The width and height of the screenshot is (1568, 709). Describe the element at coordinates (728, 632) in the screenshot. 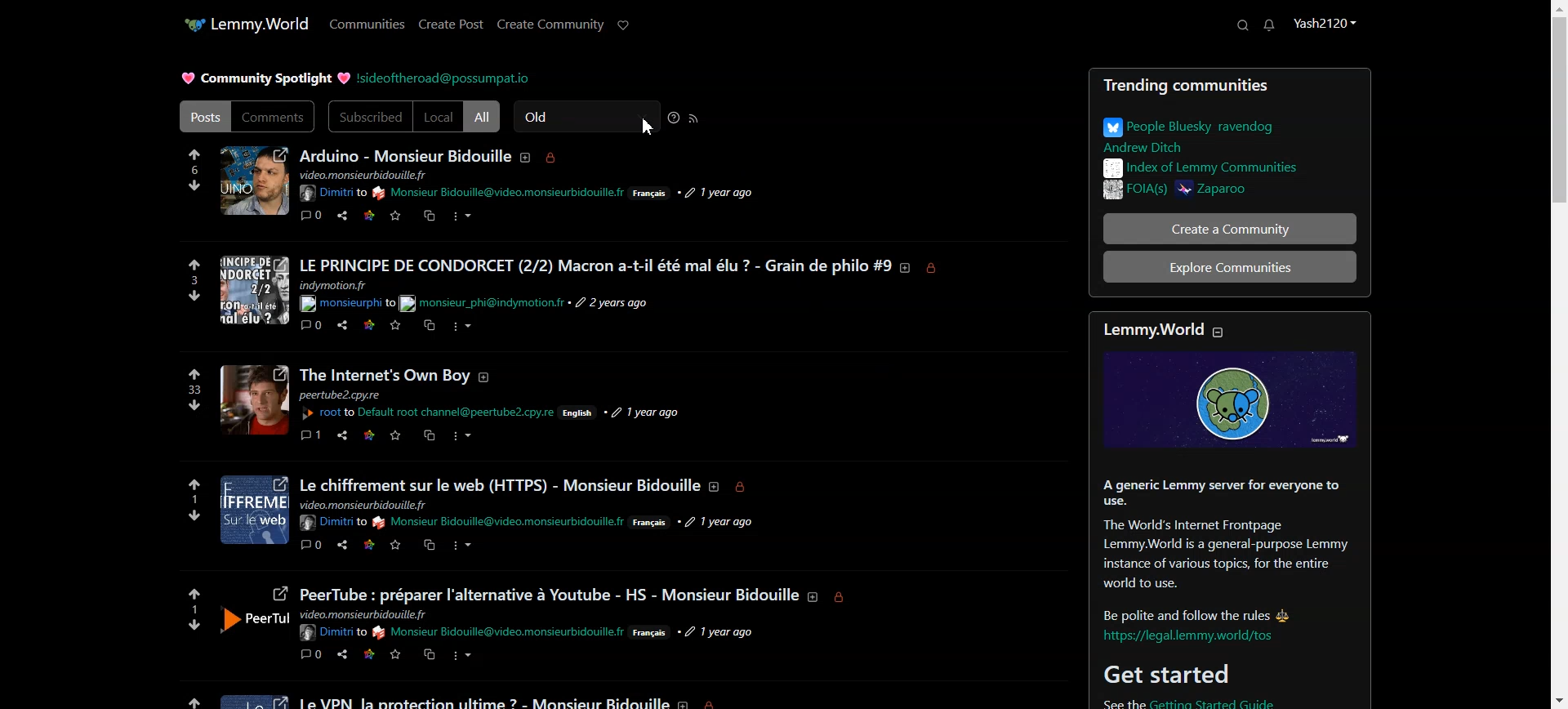

I see `` at that location.